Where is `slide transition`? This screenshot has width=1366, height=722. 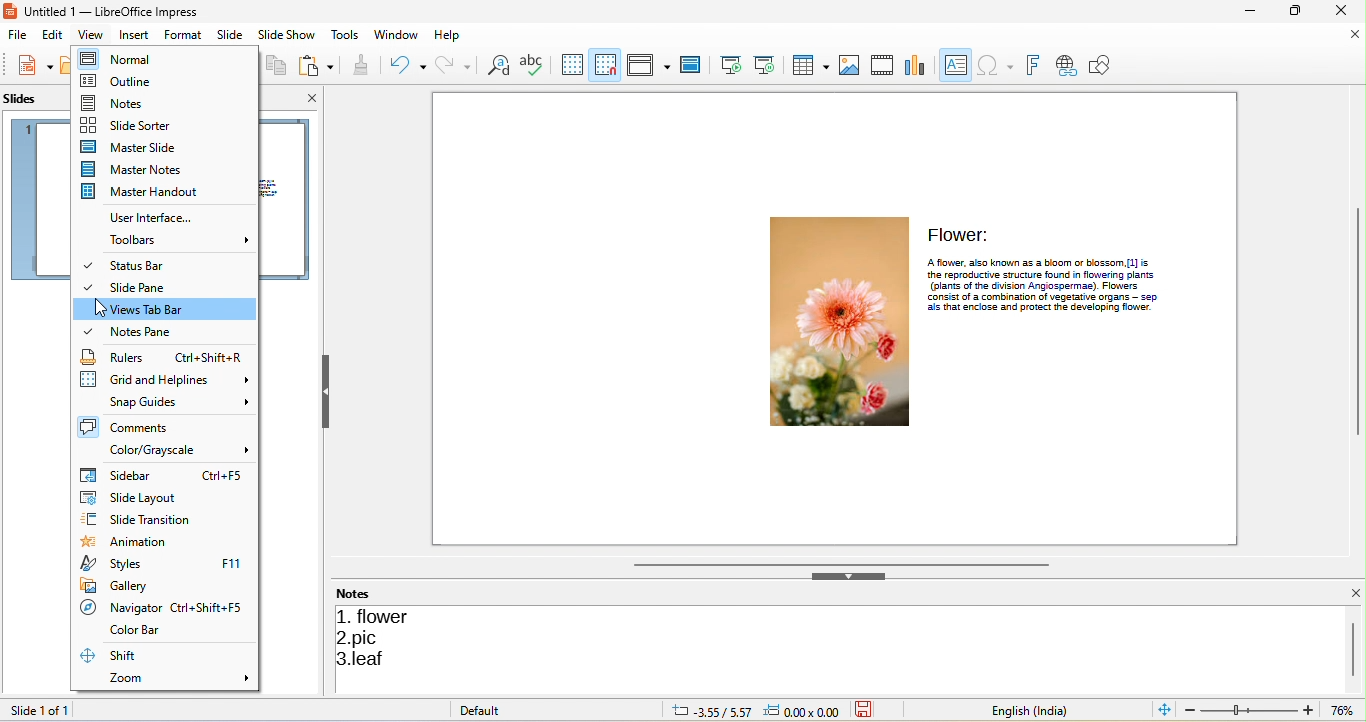
slide transition is located at coordinates (142, 517).